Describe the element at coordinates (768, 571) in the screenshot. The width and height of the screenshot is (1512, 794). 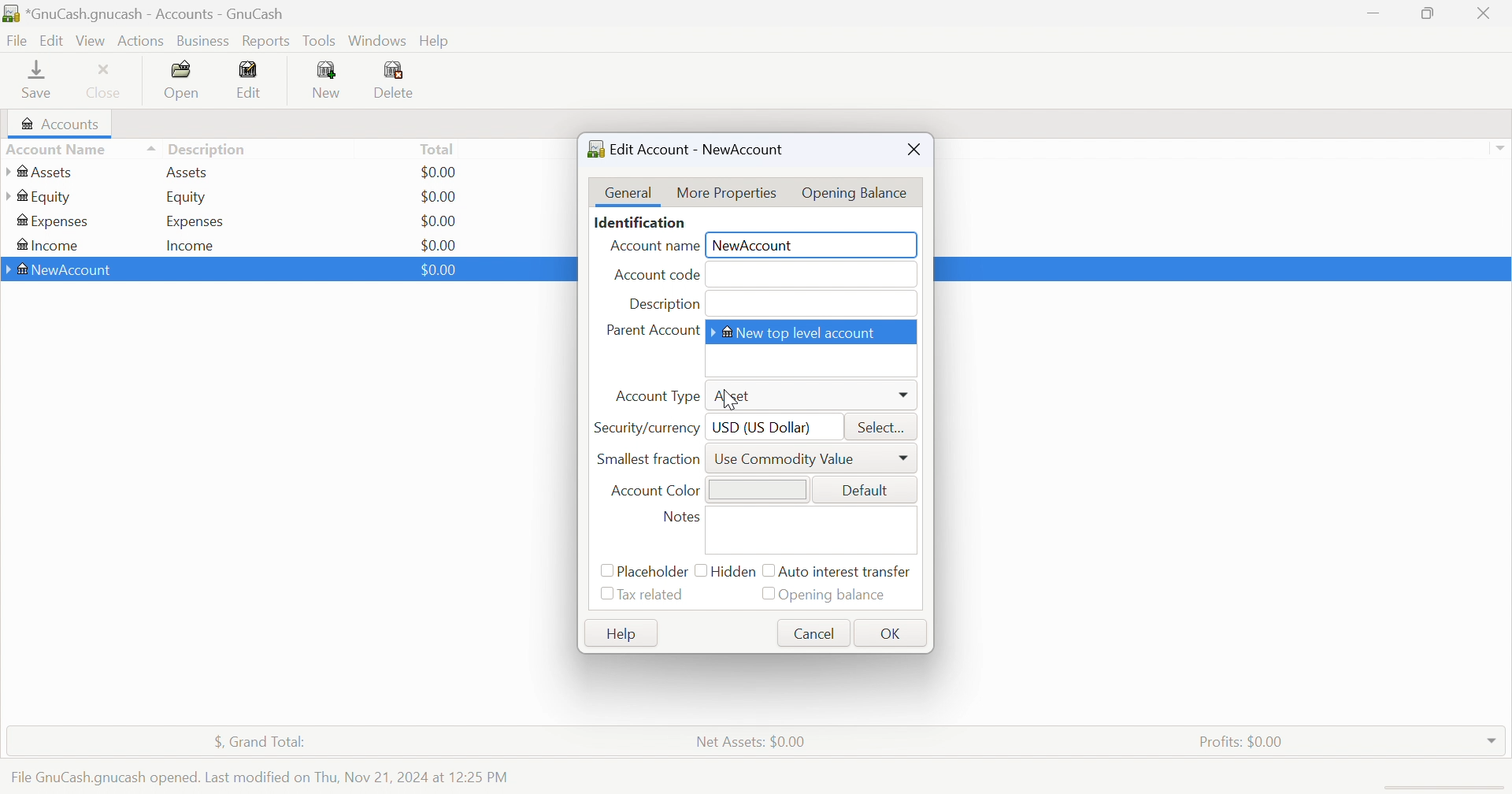
I see `checkbox` at that location.